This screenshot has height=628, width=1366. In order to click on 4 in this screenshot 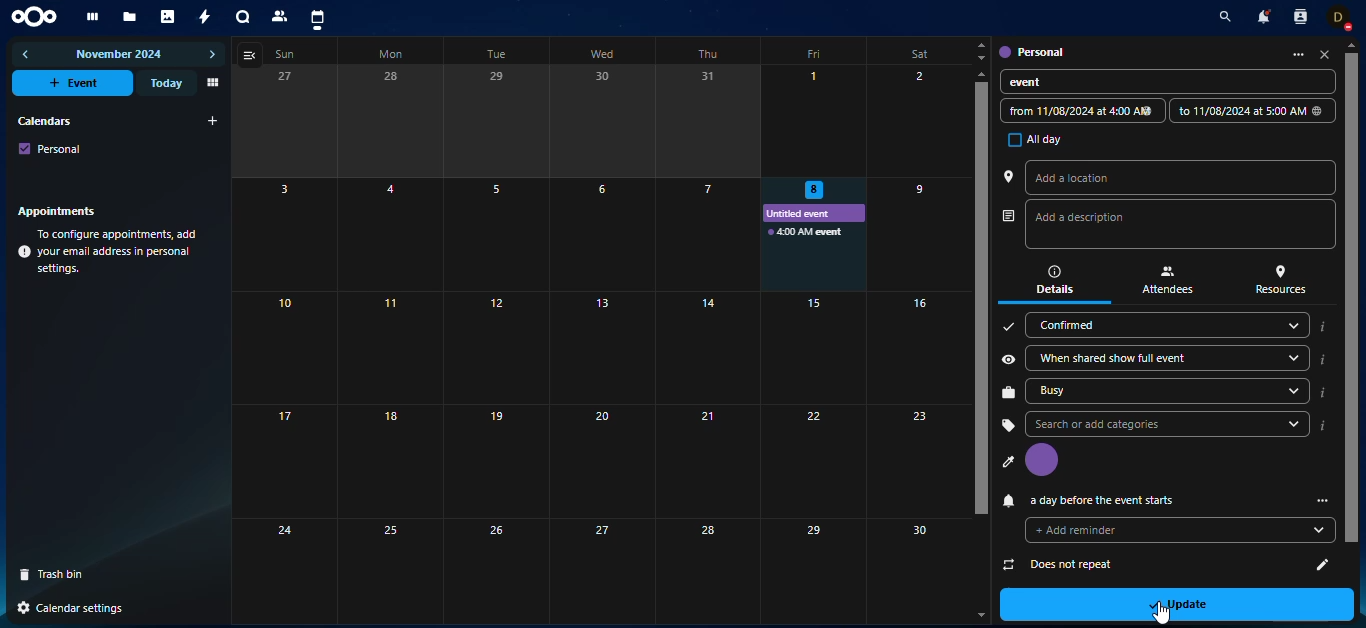, I will do `click(391, 235)`.